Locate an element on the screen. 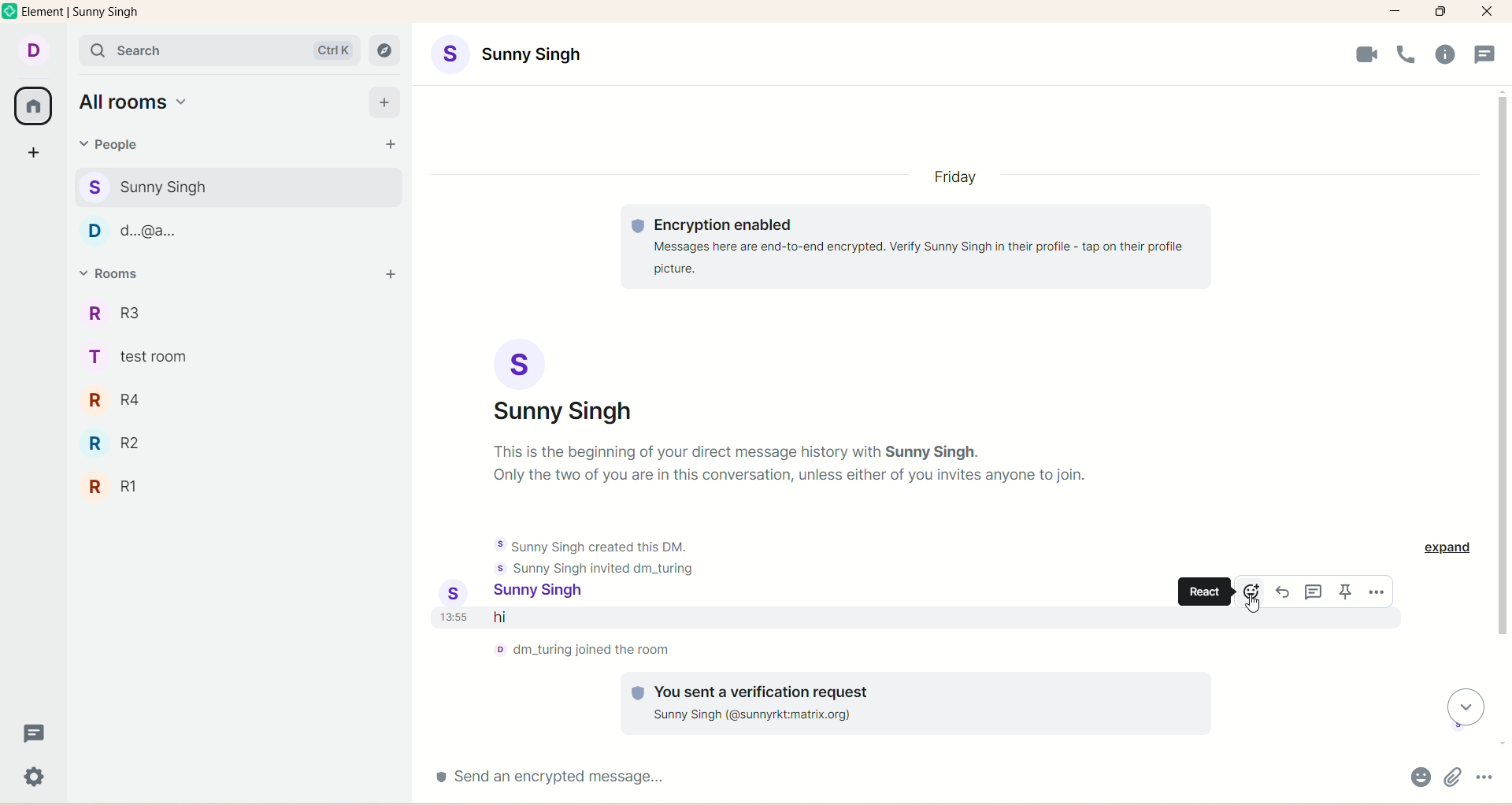 The width and height of the screenshot is (1512, 805). text is located at coordinates (583, 650).